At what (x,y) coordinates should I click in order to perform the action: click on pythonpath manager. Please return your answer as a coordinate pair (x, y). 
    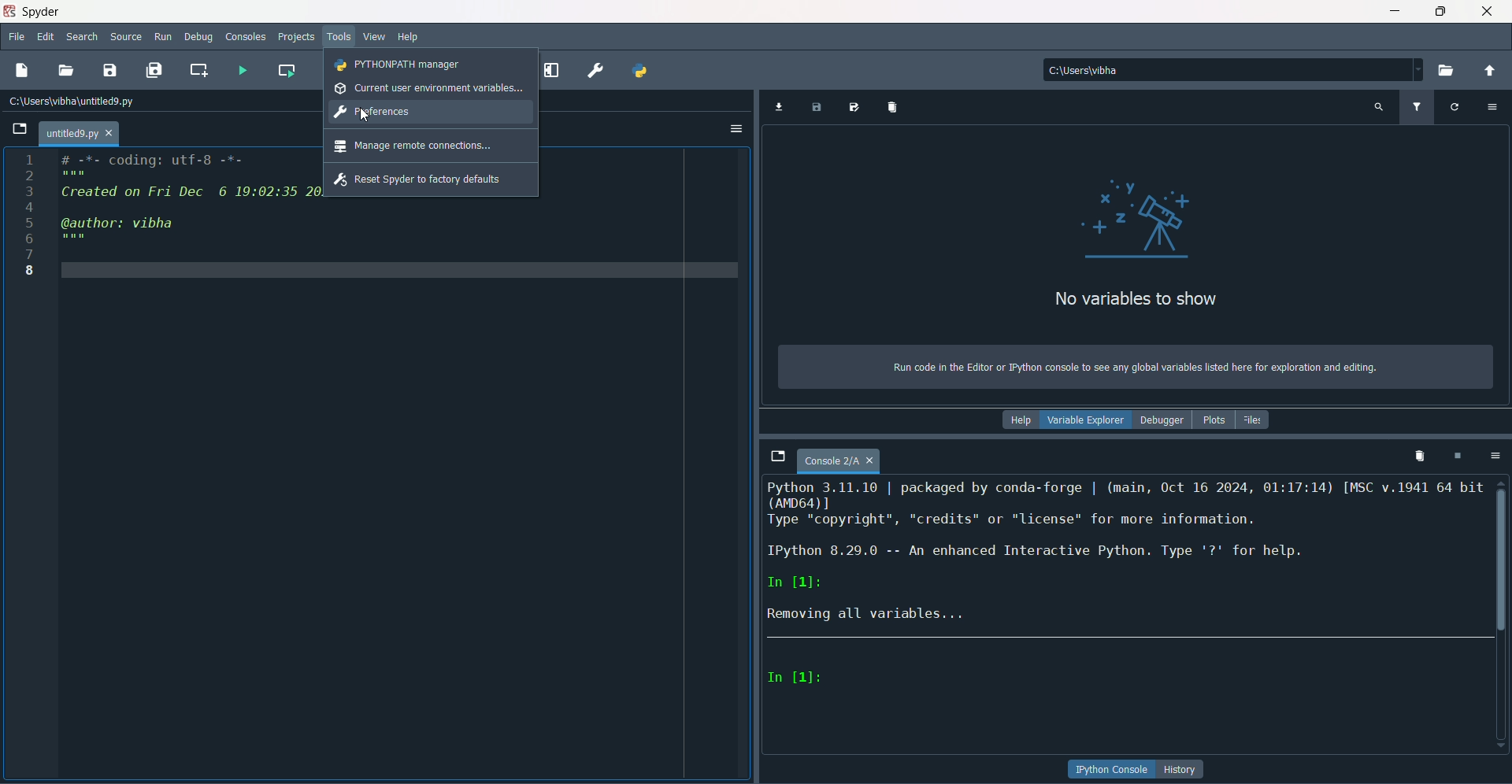
    Looking at the image, I should click on (399, 65).